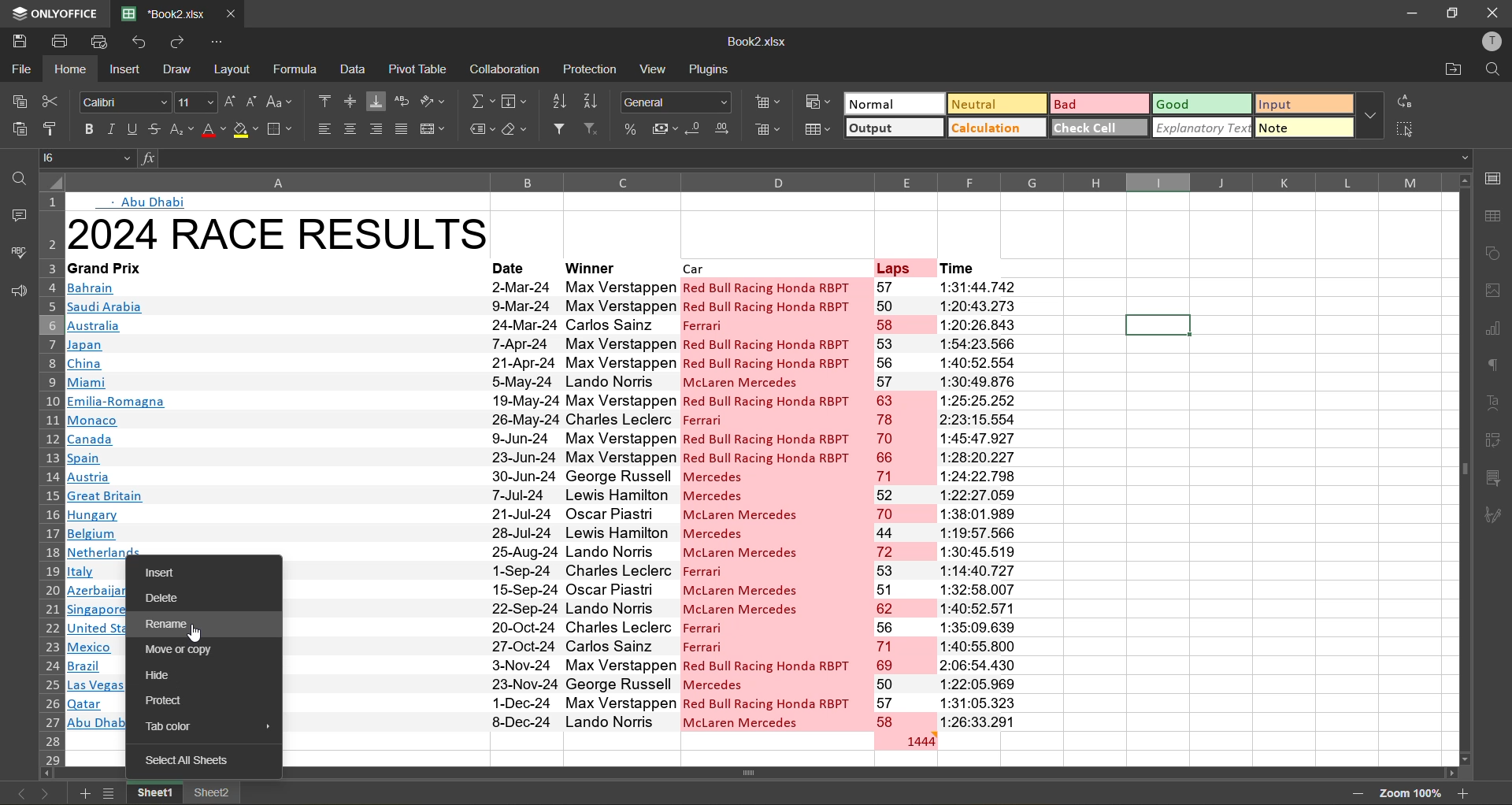  Describe the element at coordinates (245, 131) in the screenshot. I see `fill color` at that location.